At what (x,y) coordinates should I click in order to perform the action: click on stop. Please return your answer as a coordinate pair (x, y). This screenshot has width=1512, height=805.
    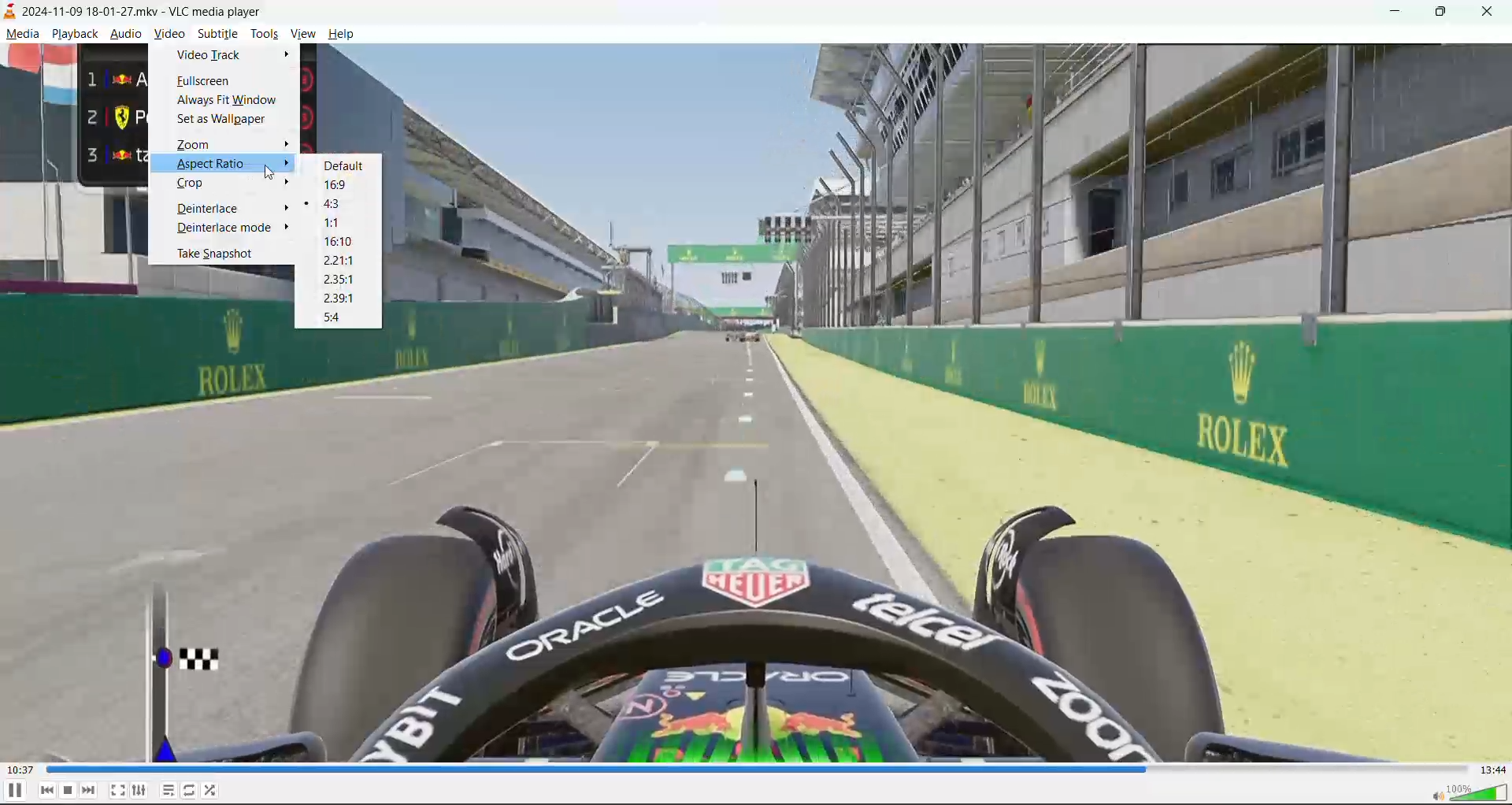
    Looking at the image, I should click on (70, 791).